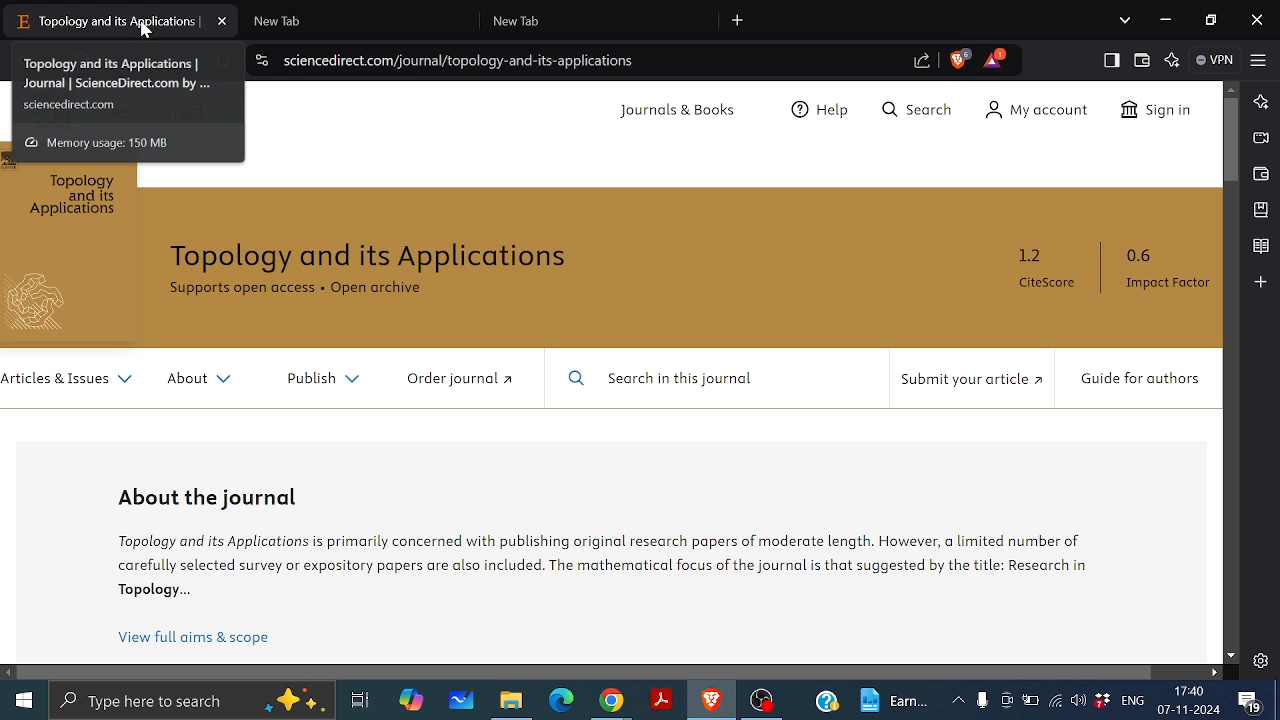 This screenshot has height=720, width=1280. What do you see at coordinates (1261, 282) in the screenshot?
I see `Add to sidebar` at bounding box center [1261, 282].